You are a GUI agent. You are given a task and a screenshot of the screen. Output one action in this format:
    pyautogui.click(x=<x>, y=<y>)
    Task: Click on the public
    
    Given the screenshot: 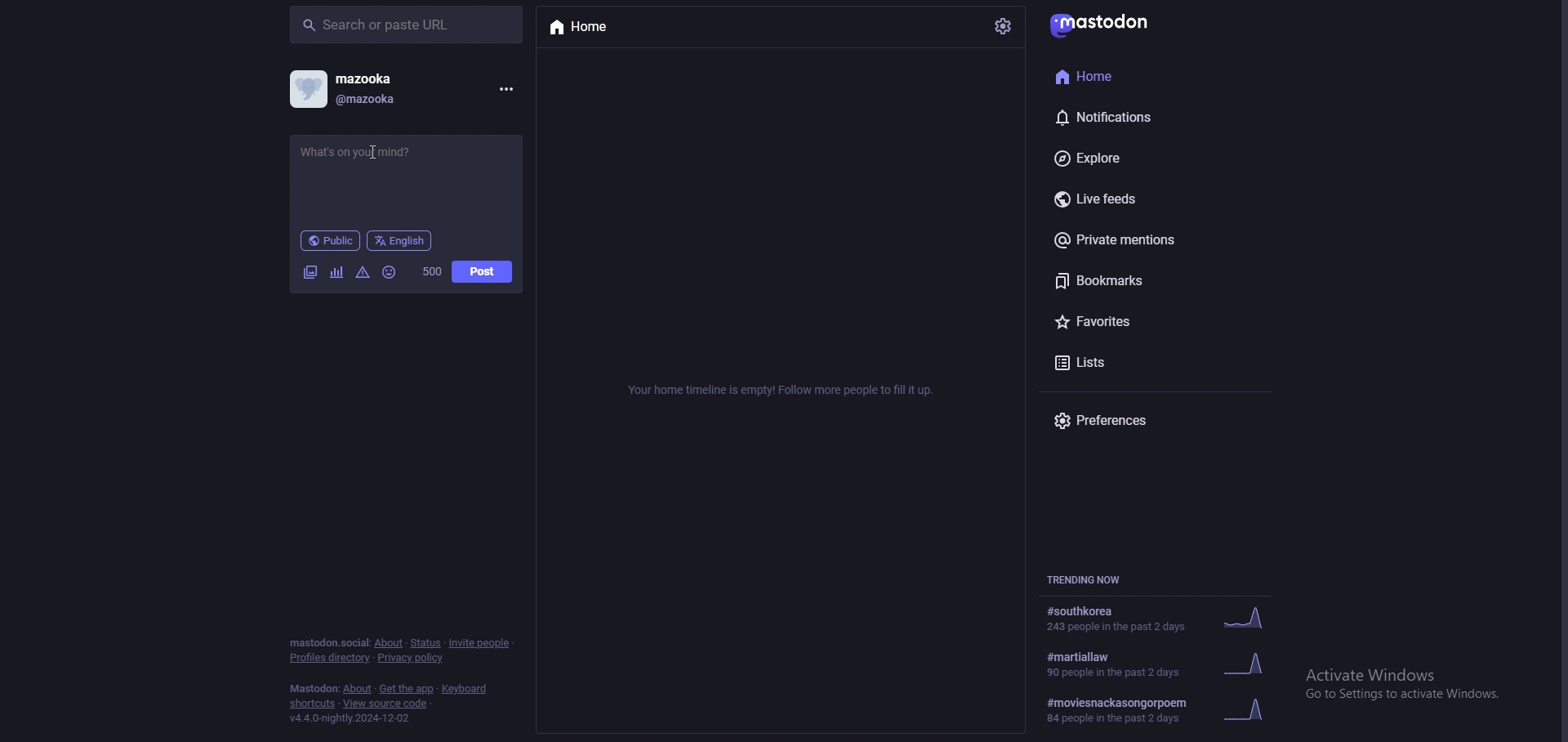 What is the action you would take?
    pyautogui.click(x=330, y=240)
    